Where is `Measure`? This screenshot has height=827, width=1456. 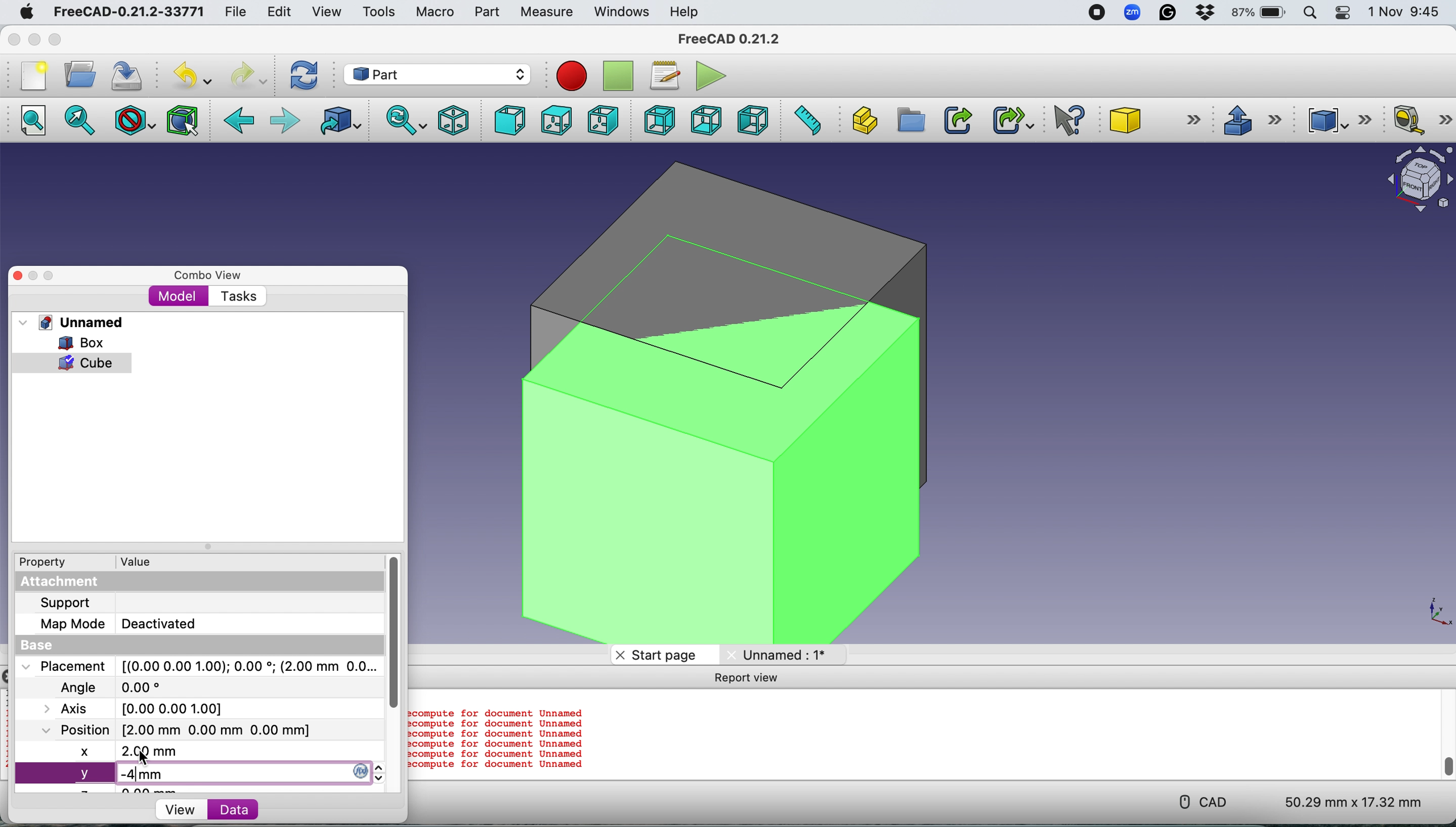
Measure is located at coordinates (549, 13).